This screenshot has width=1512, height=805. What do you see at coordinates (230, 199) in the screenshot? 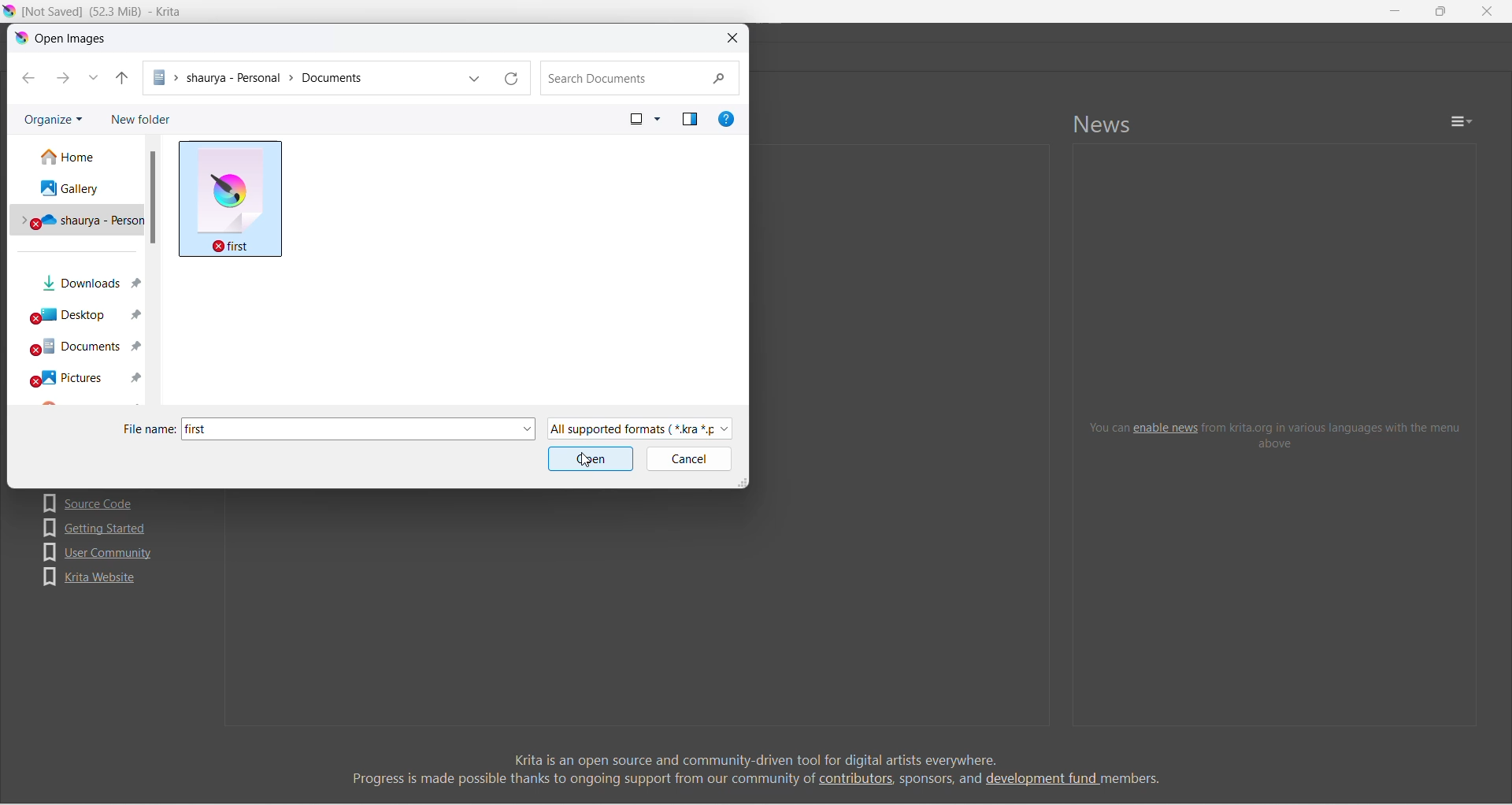
I see `selected file` at bounding box center [230, 199].